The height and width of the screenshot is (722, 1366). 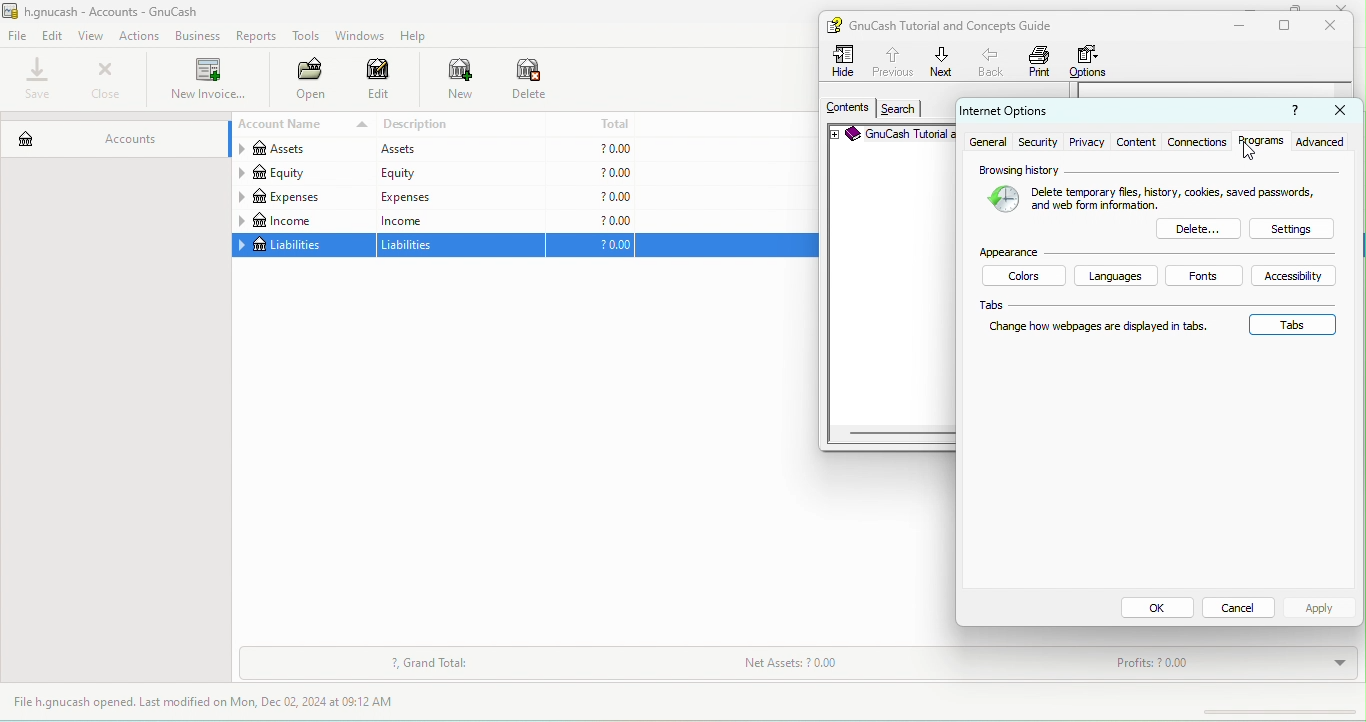 I want to click on cancel, so click(x=1240, y=607).